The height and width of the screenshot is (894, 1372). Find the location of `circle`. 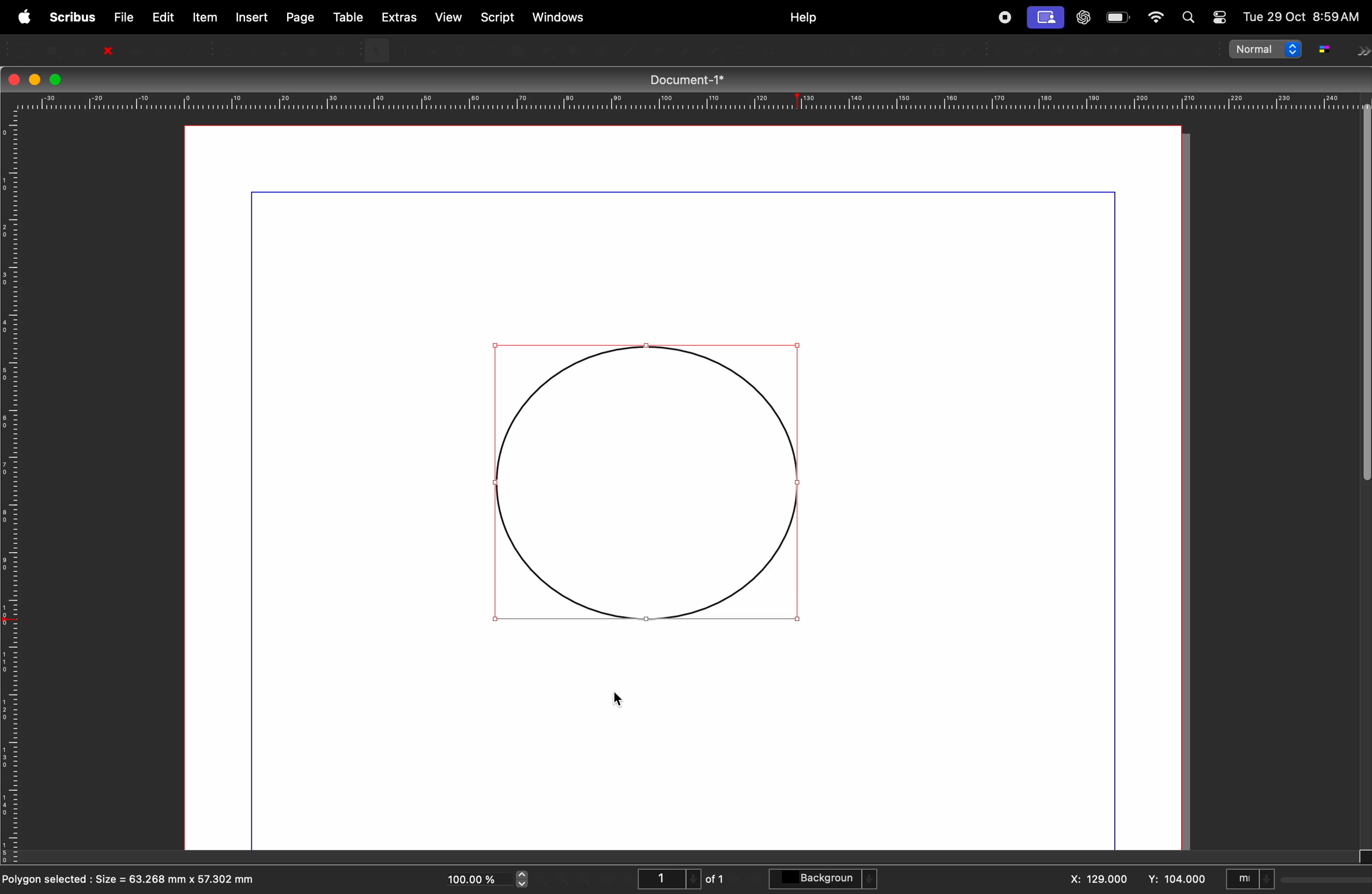

circle is located at coordinates (645, 484).